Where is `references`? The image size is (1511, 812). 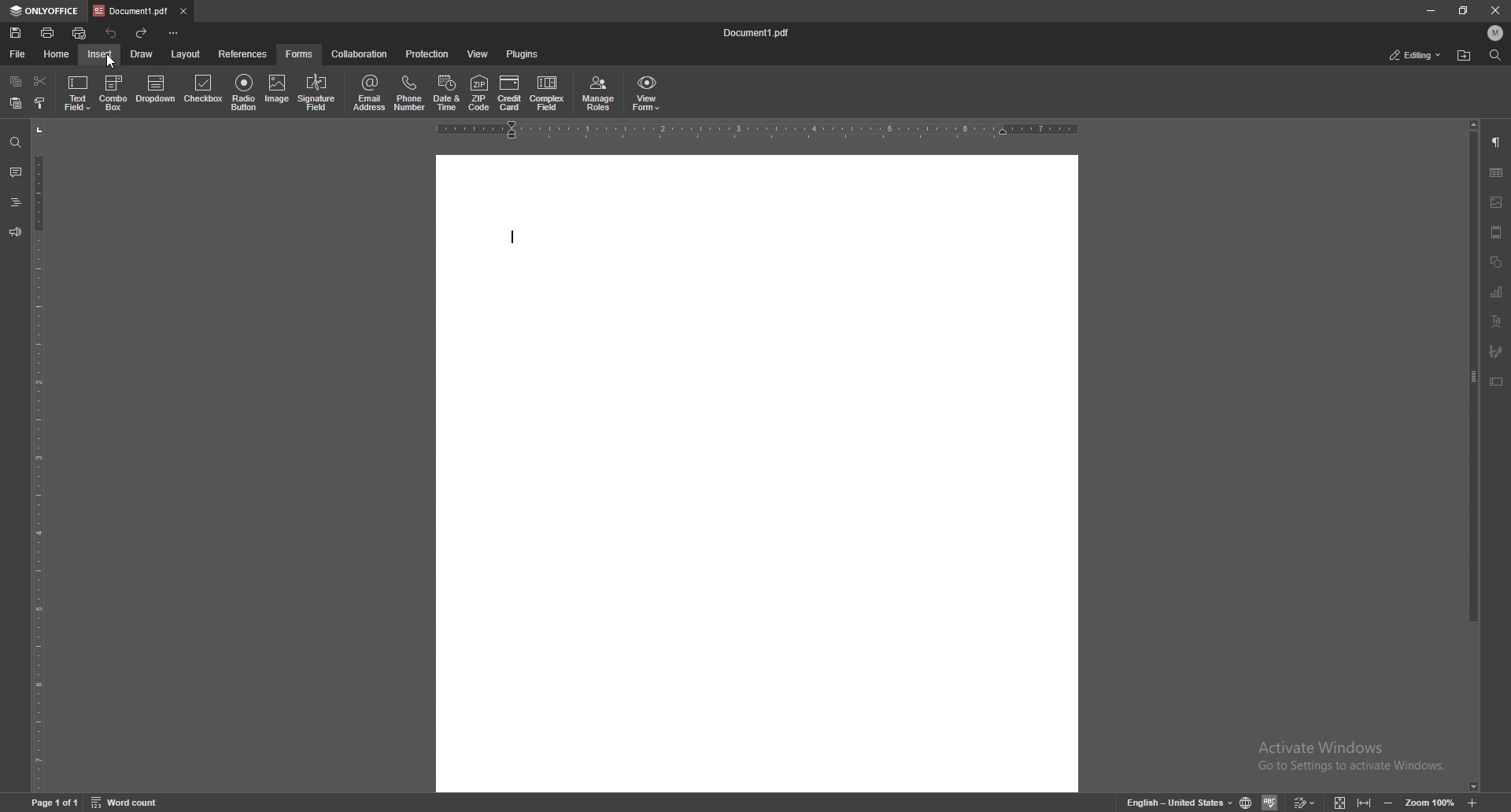 references is located at coordinates (244, 54).